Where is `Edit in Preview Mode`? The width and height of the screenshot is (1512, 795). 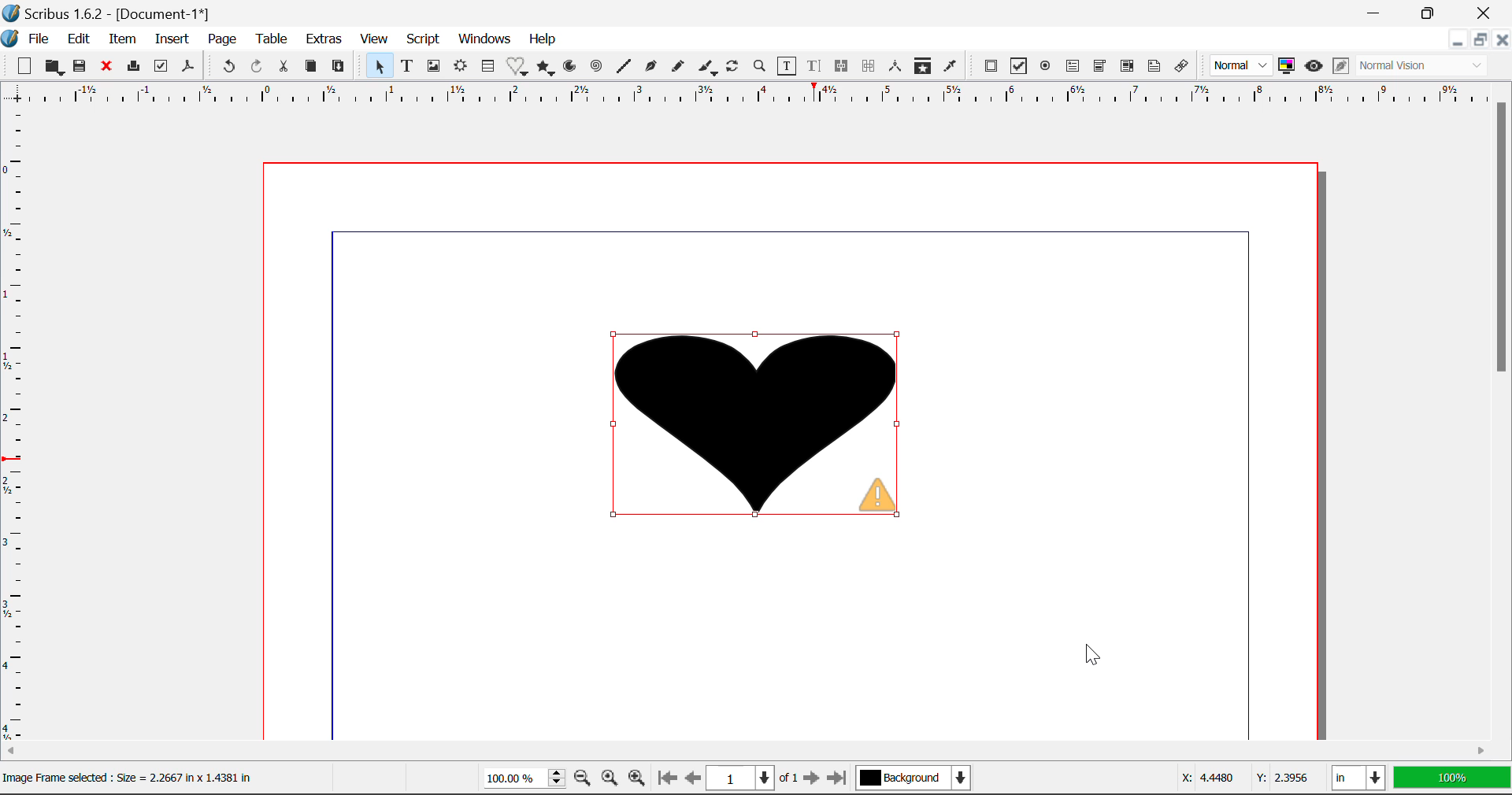
Edit in Preview Mode is located at coordinates (1340, 66).